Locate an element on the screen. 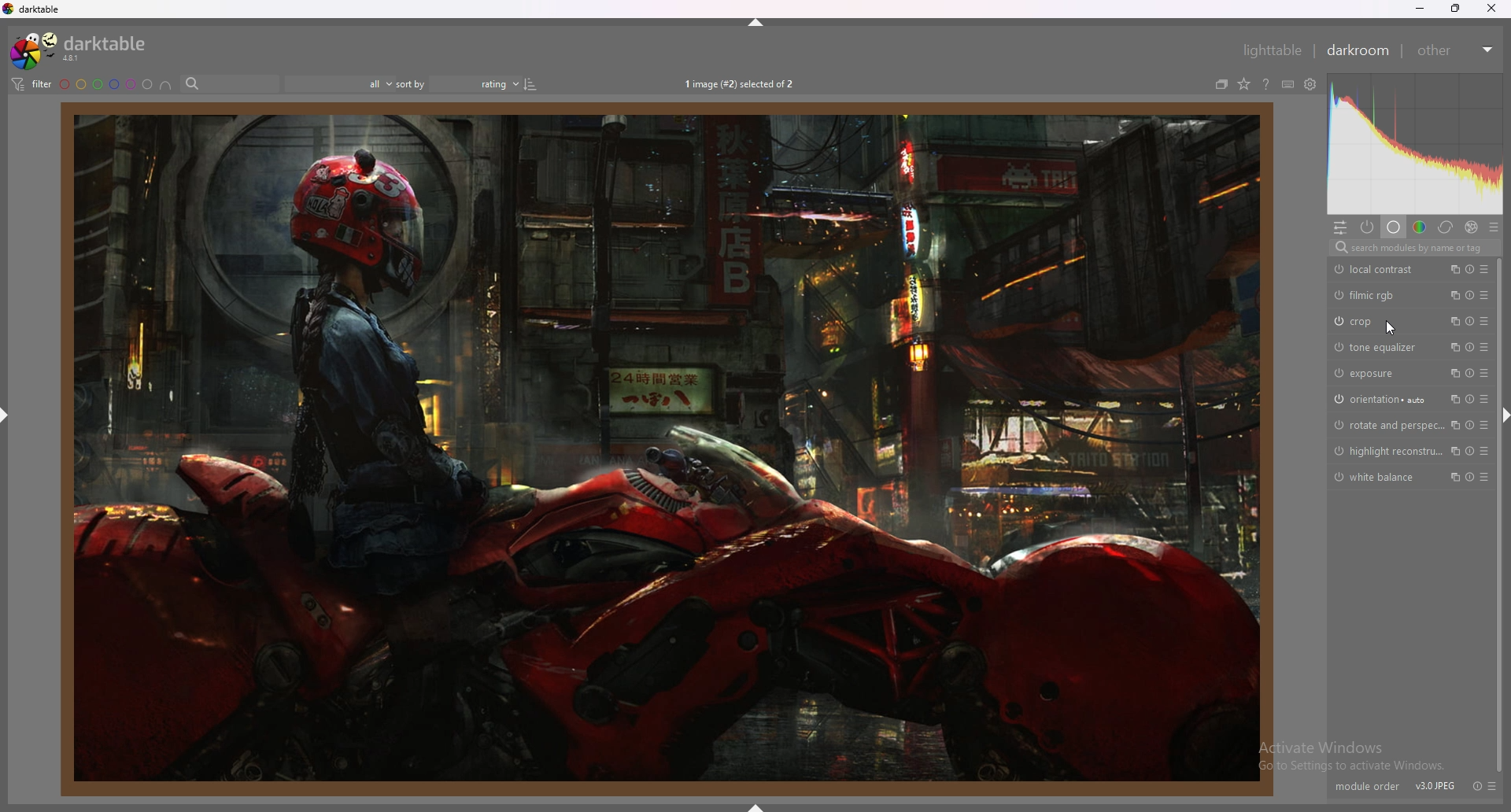  correct is located at coordinates (1446, 227).